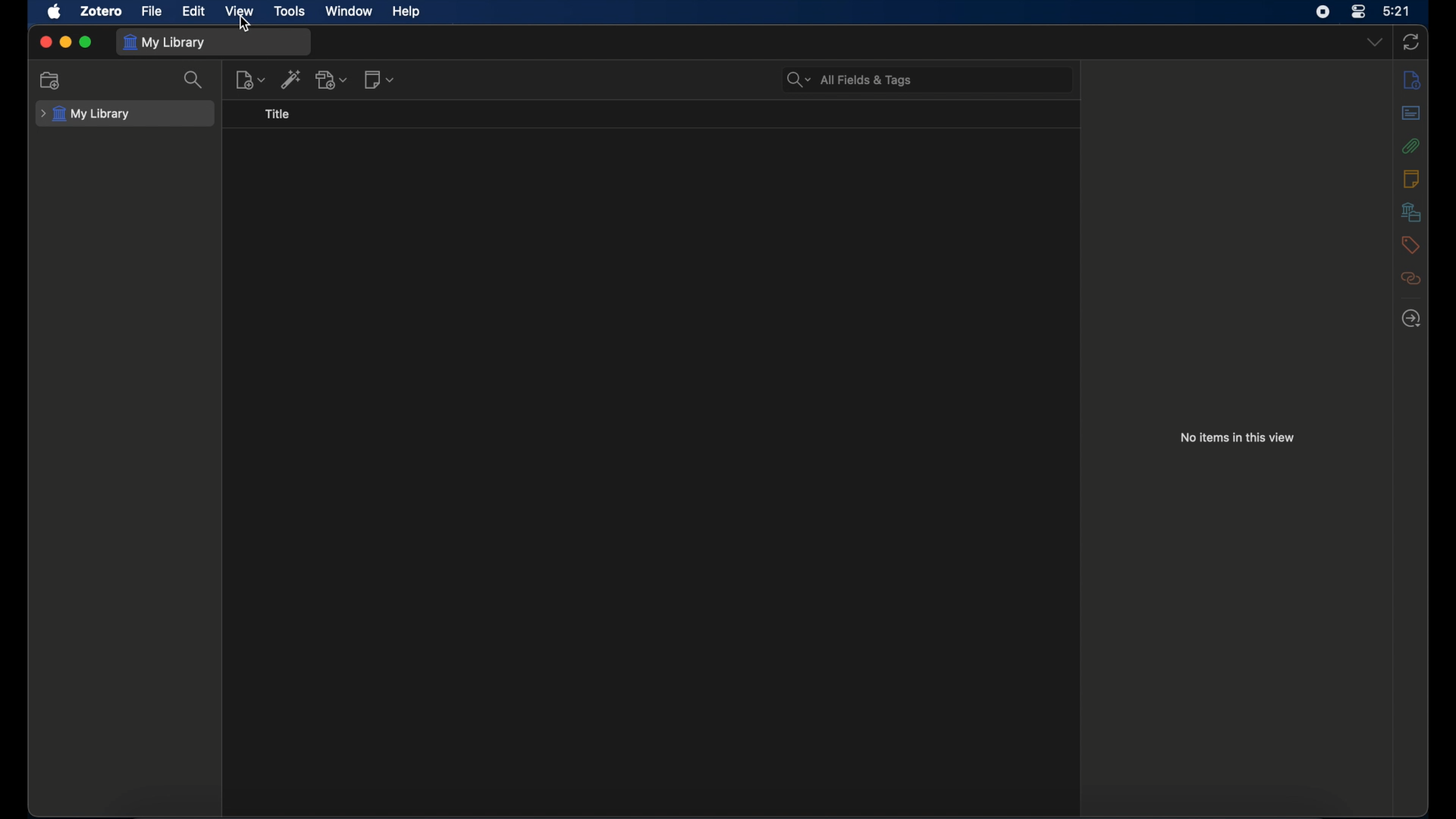 The height and width of the screenshot is (819, 1456). I want to click on attachments, so click(1411, 145).